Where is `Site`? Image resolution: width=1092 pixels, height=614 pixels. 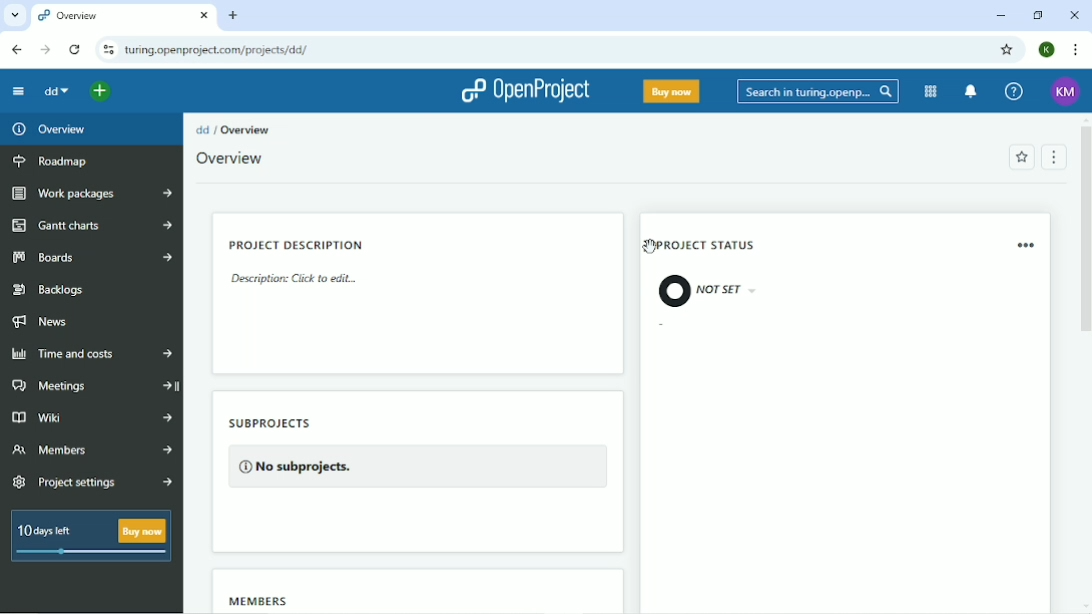
Site is located at coordinates (218, 50).